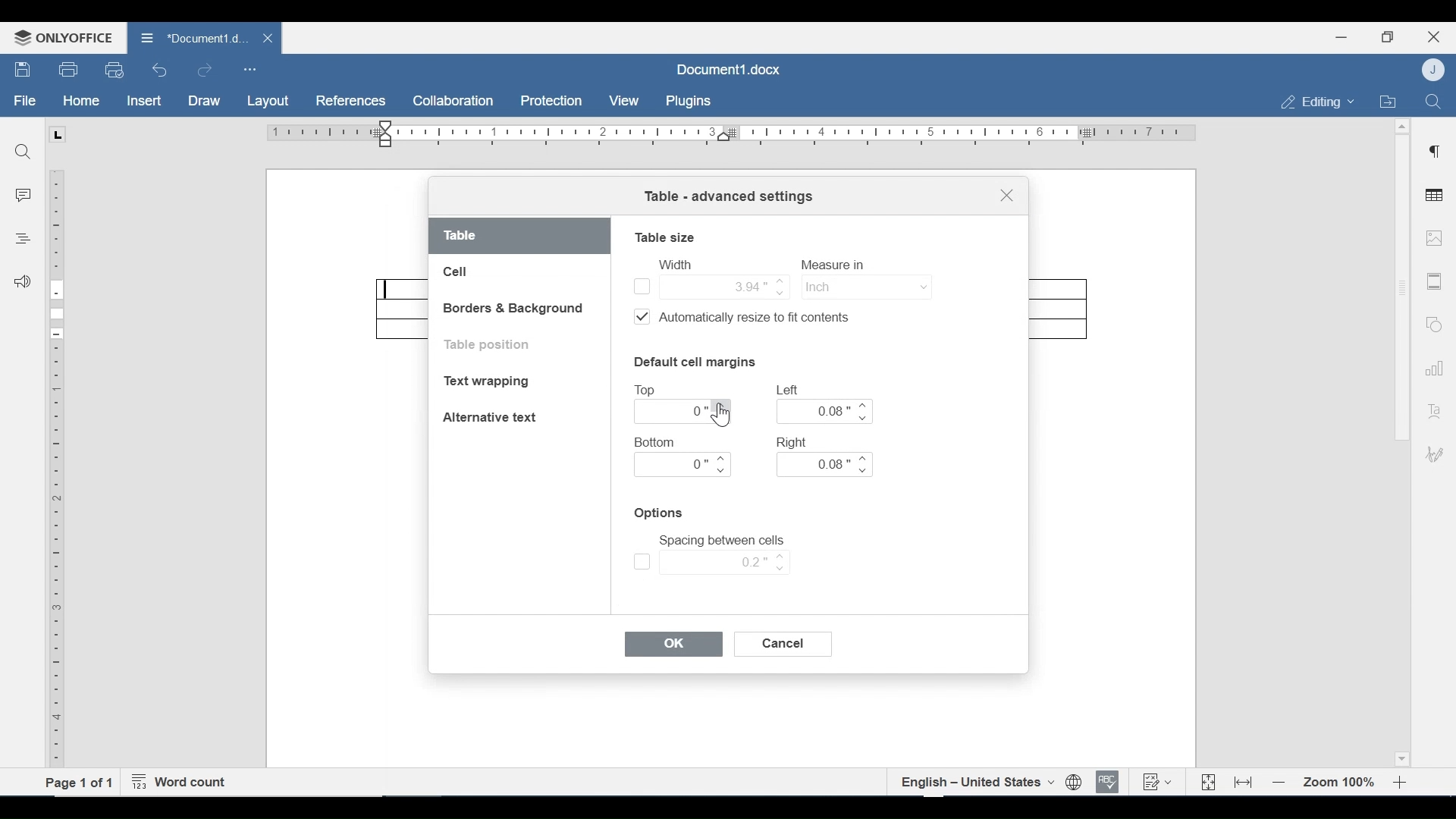 The image size is (1456, 819). Describe the element at coordinates (204, 71) in the screenshot. I see `Redo` at that location.